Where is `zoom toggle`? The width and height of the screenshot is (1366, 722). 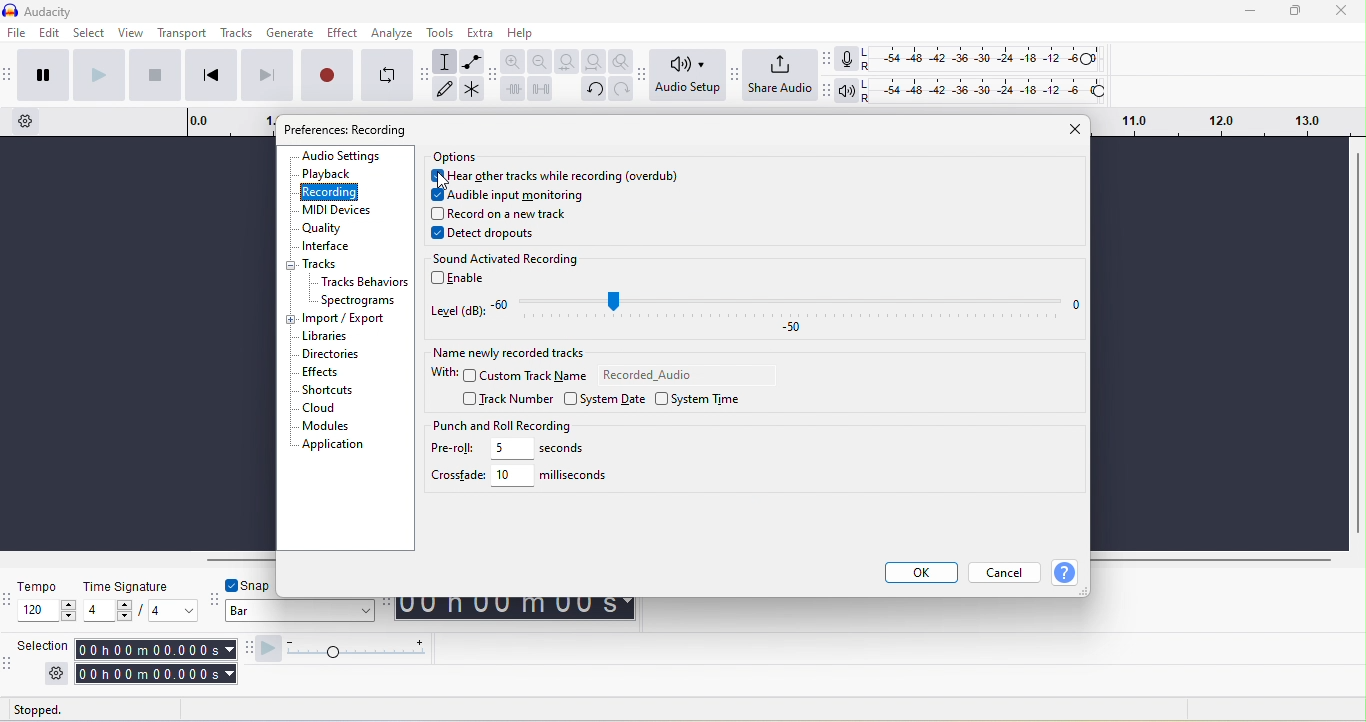 zoom toggle is located at coordinates (624, 61).